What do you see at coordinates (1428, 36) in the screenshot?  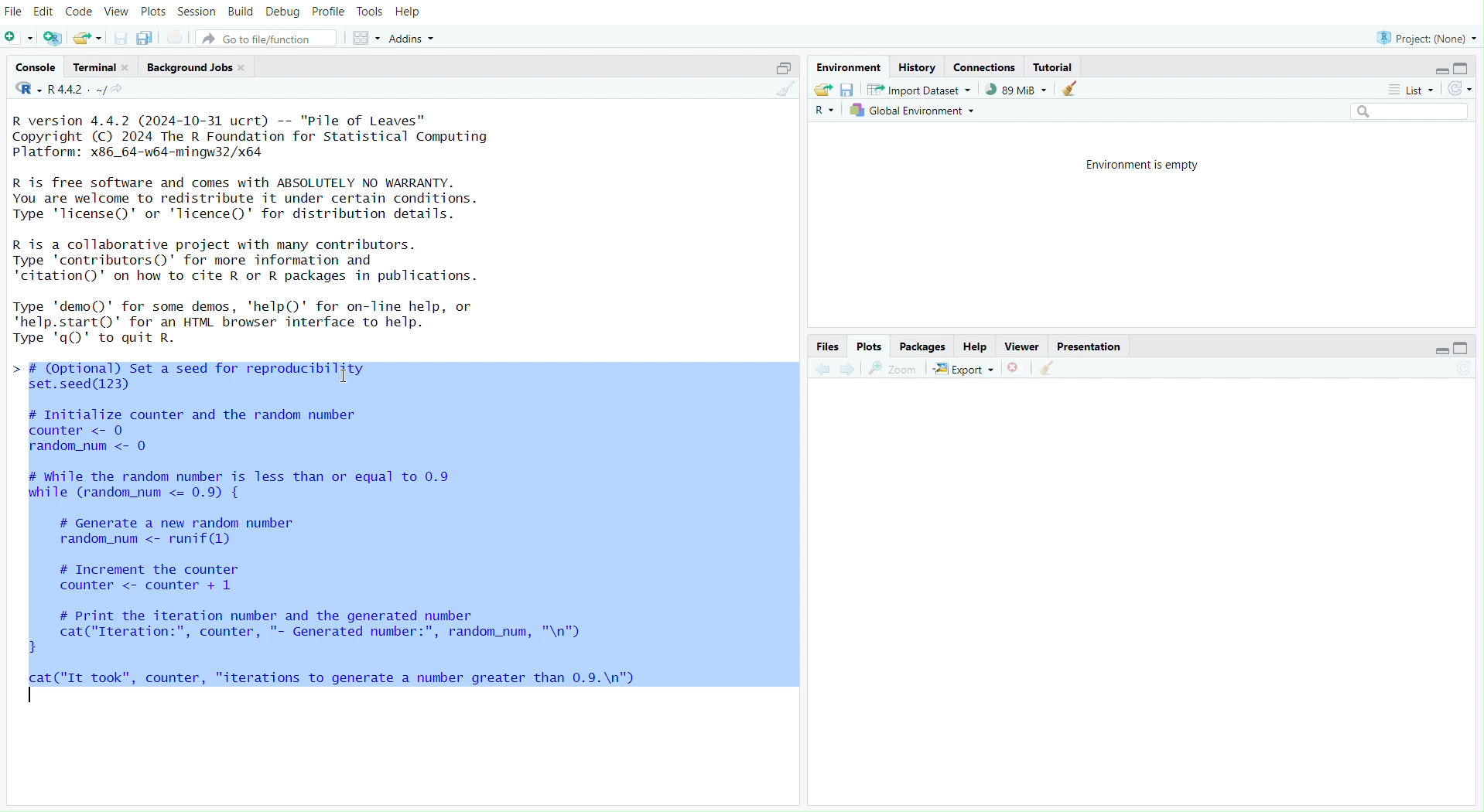 I see `Progress (None)` at bounding box center [1428, 36].